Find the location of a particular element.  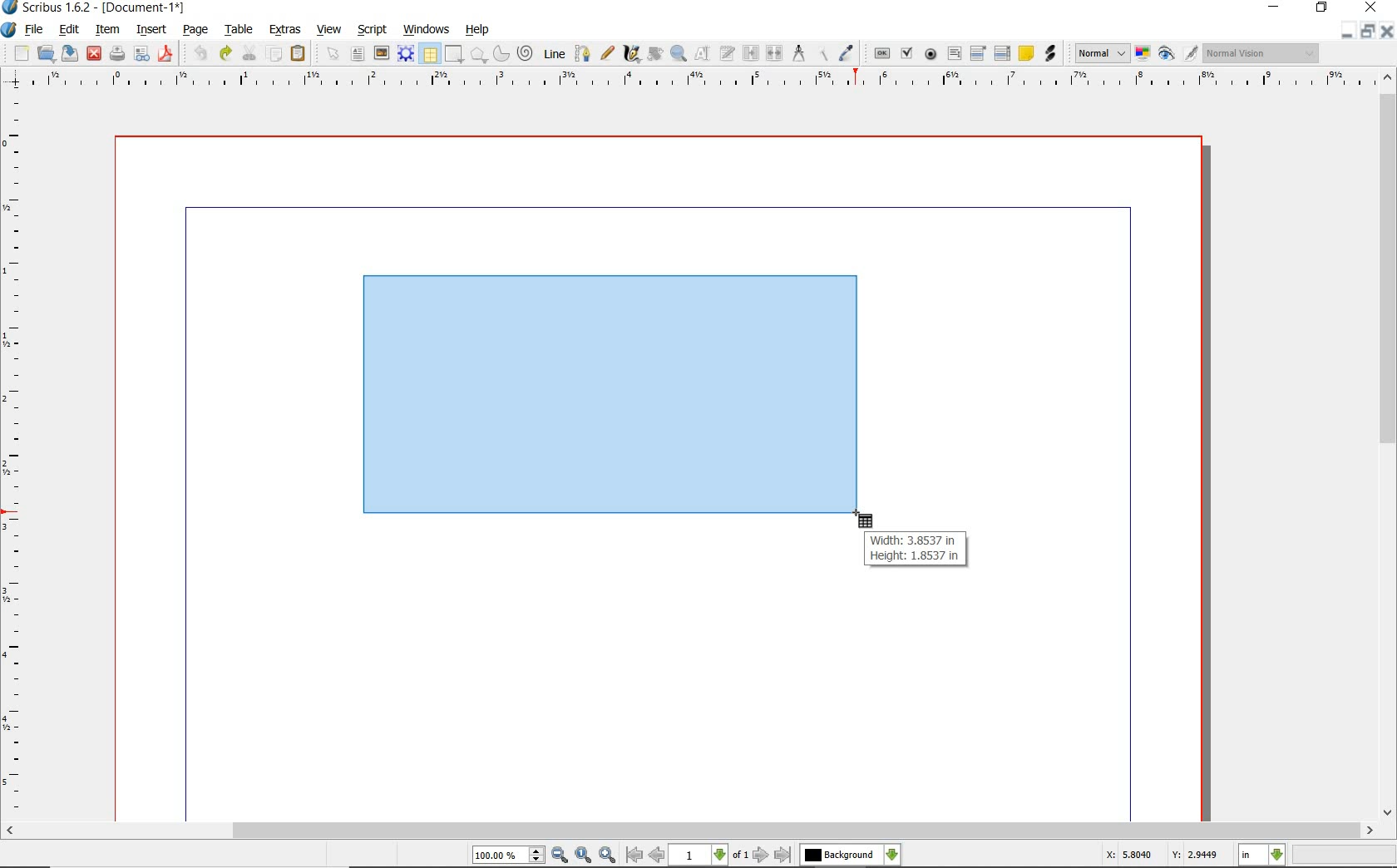

zoom in is located at coordinates (608, 856).